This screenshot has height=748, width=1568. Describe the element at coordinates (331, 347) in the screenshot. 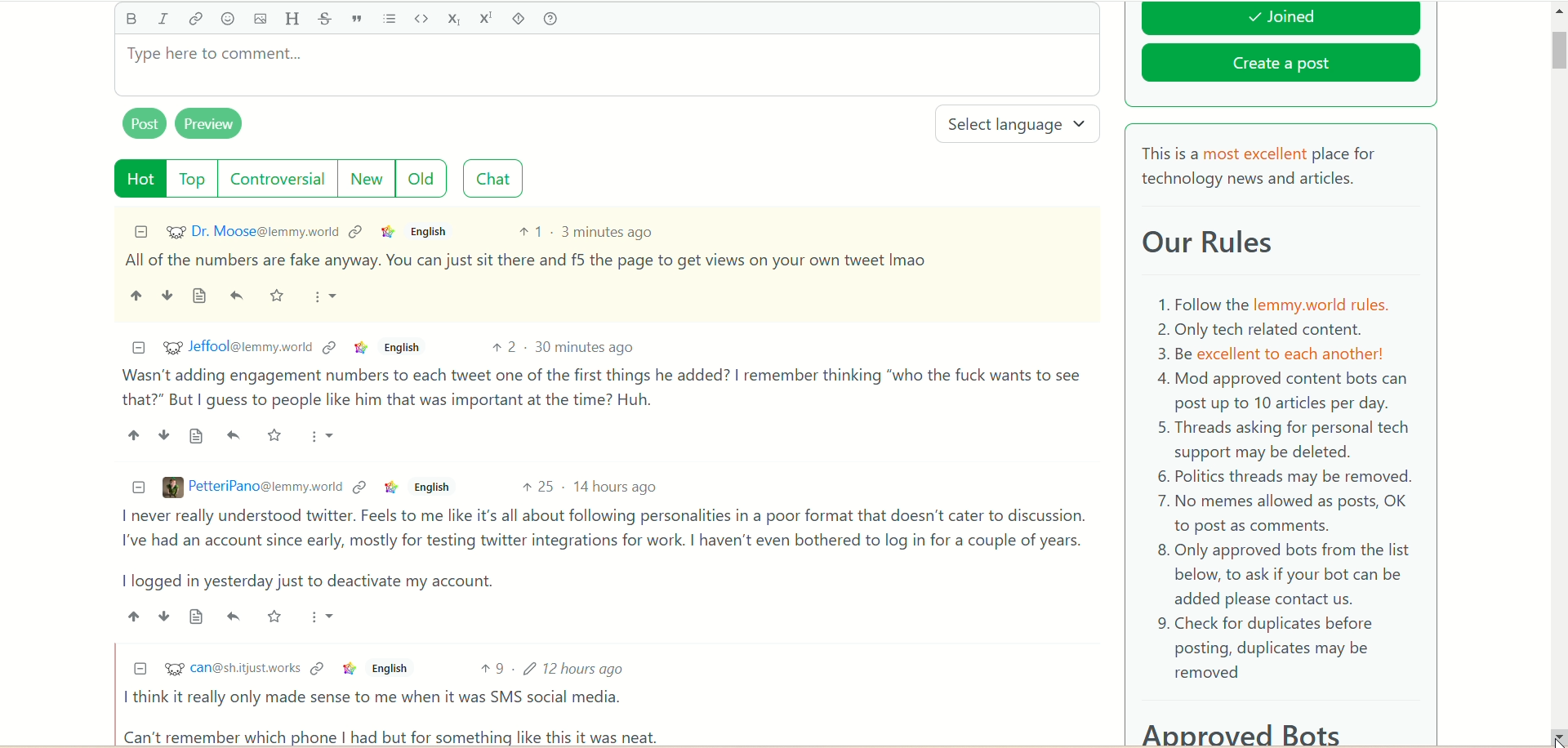

I see `Link` at that location.